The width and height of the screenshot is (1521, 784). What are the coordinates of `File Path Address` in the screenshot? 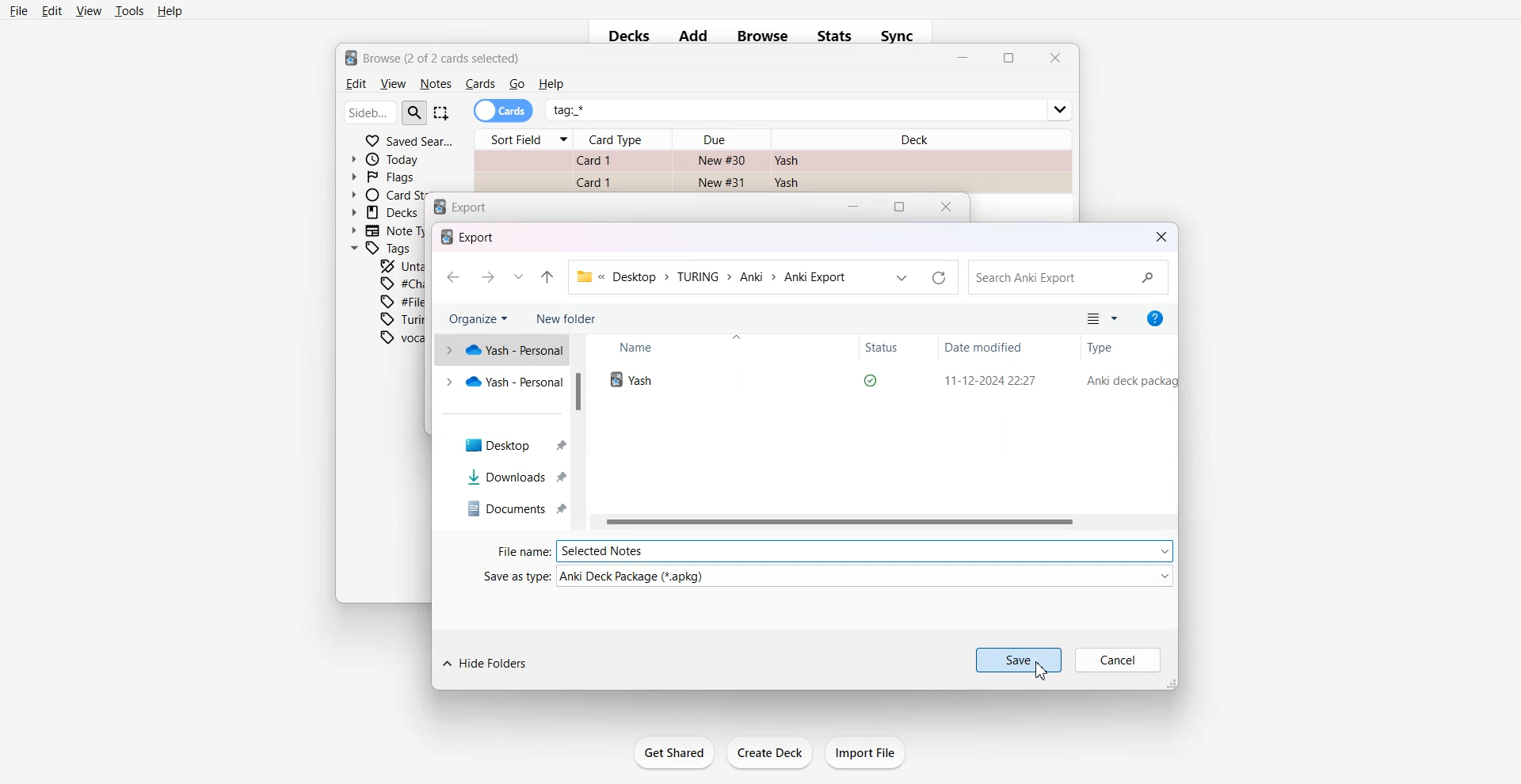 It's located at (712, 276).